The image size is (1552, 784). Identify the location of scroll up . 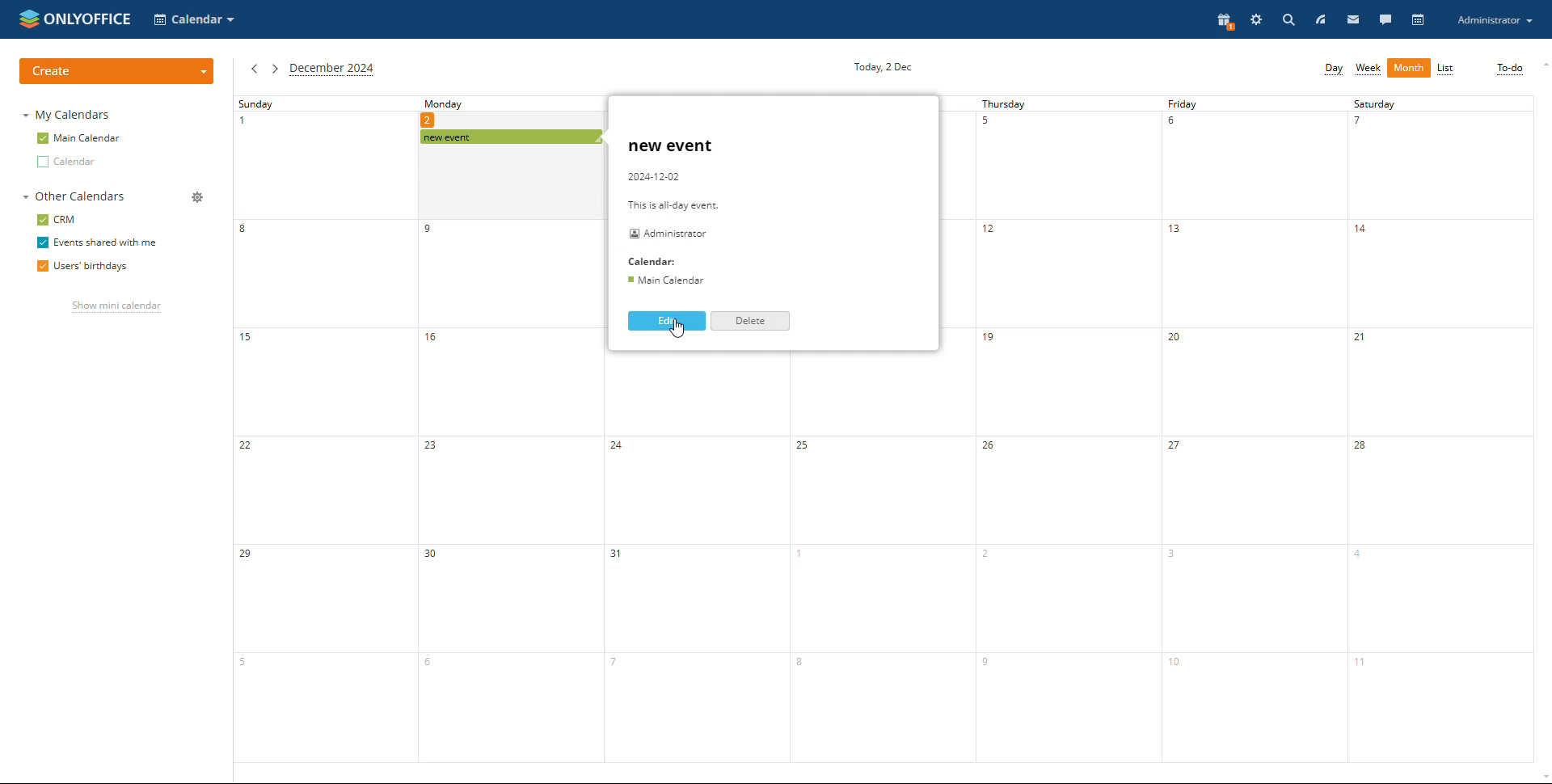
(1542, 66).